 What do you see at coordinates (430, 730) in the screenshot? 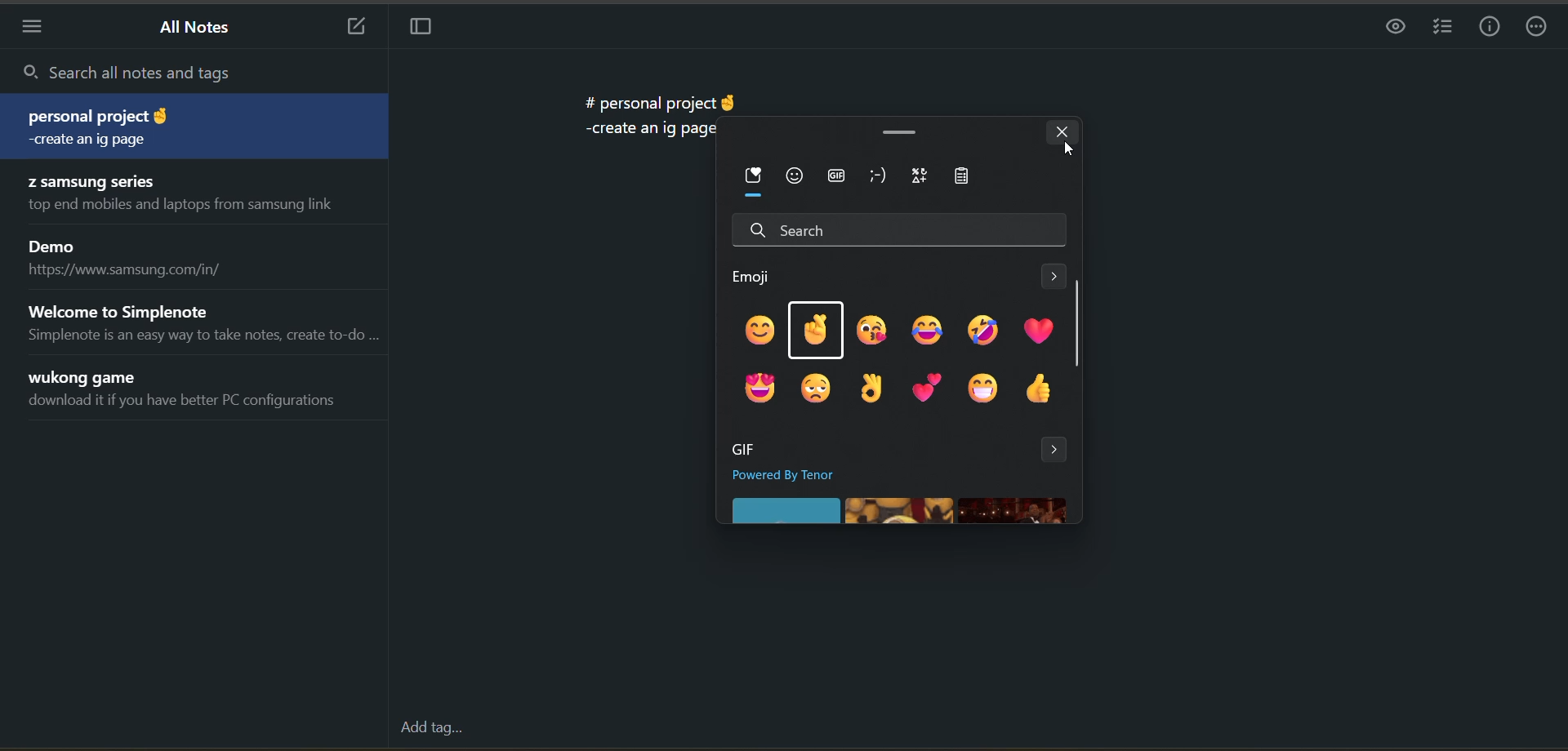
I see `add tag` at bounding box center [430, 730].